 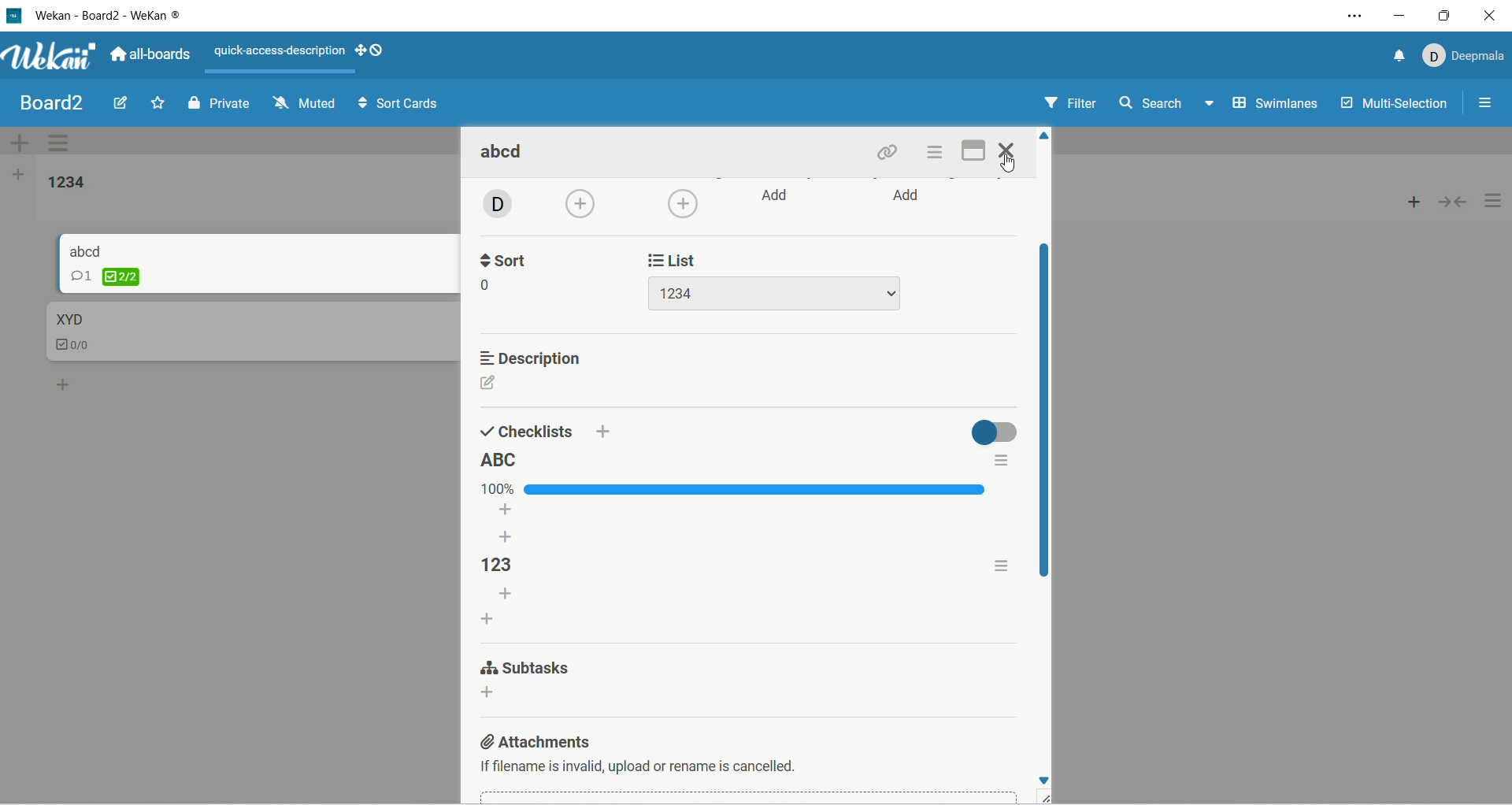 I want to click on swimlanes, so click(x=1274, y=104).